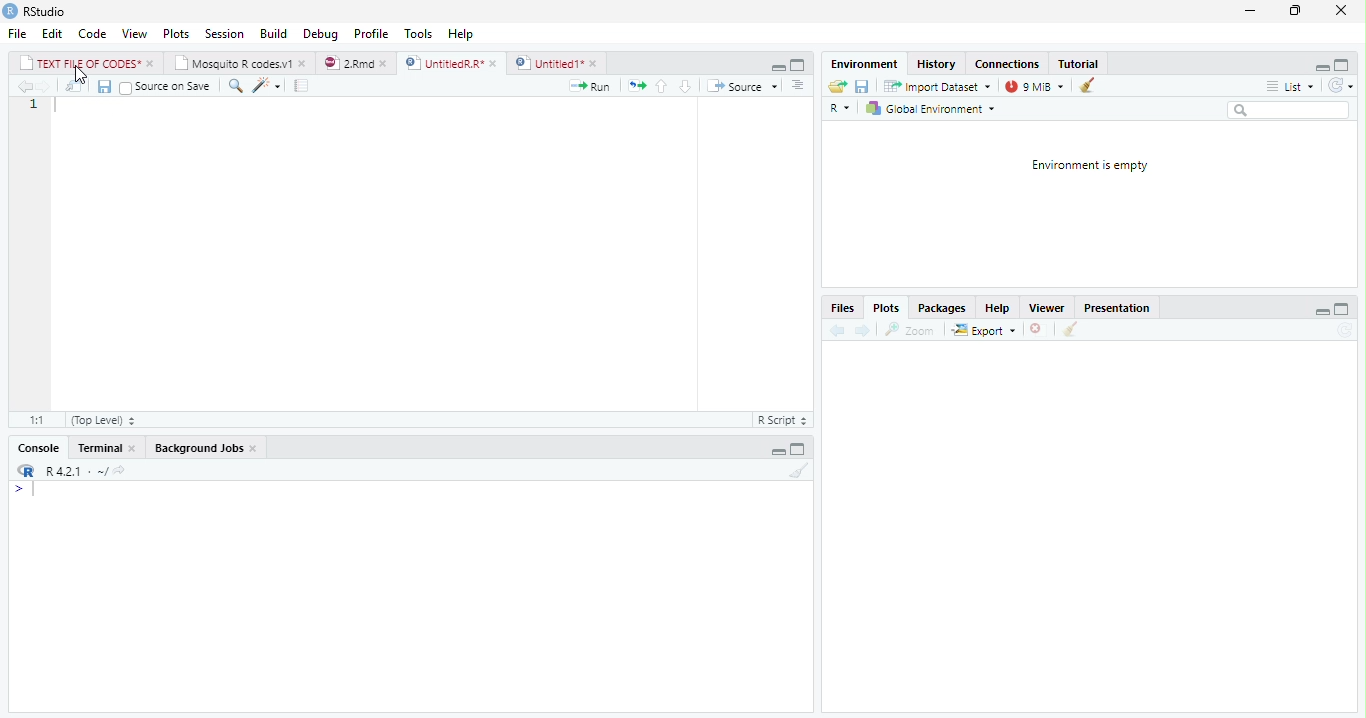 The width and height of the screenshot is (1366, 718). I want to click on show in new window, so click(75, 88).